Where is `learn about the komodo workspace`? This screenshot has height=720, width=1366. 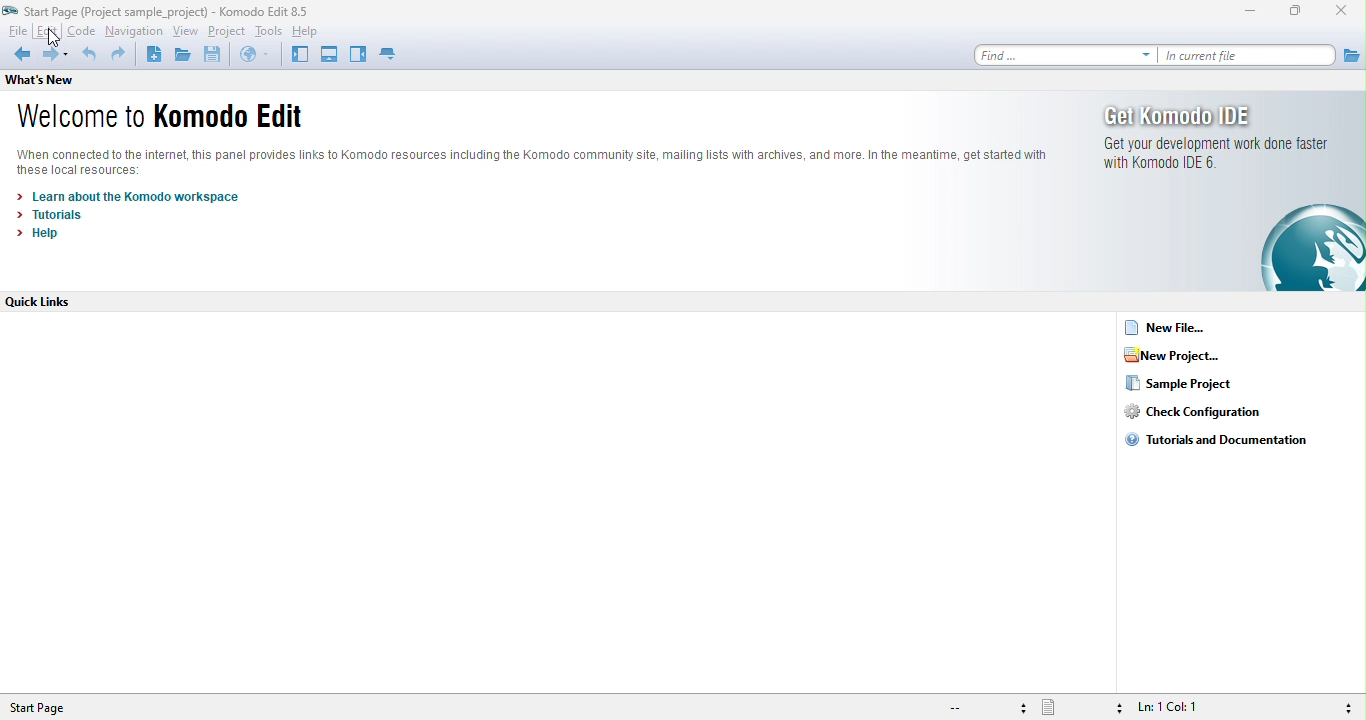
learn about the komodo workspace is located at coordinates (119, 198).